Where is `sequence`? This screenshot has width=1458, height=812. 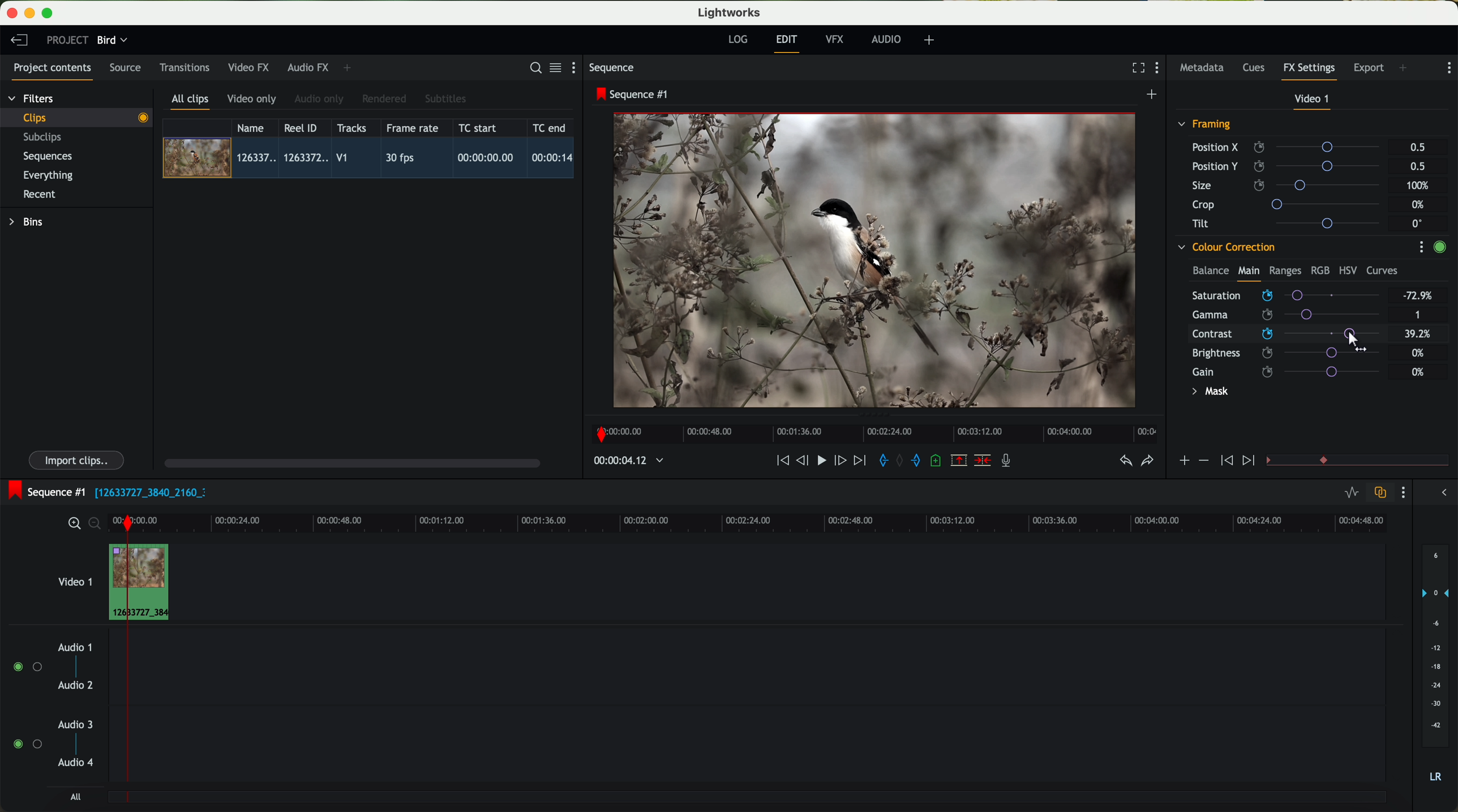
sequence is located at coordinates (612, 68).